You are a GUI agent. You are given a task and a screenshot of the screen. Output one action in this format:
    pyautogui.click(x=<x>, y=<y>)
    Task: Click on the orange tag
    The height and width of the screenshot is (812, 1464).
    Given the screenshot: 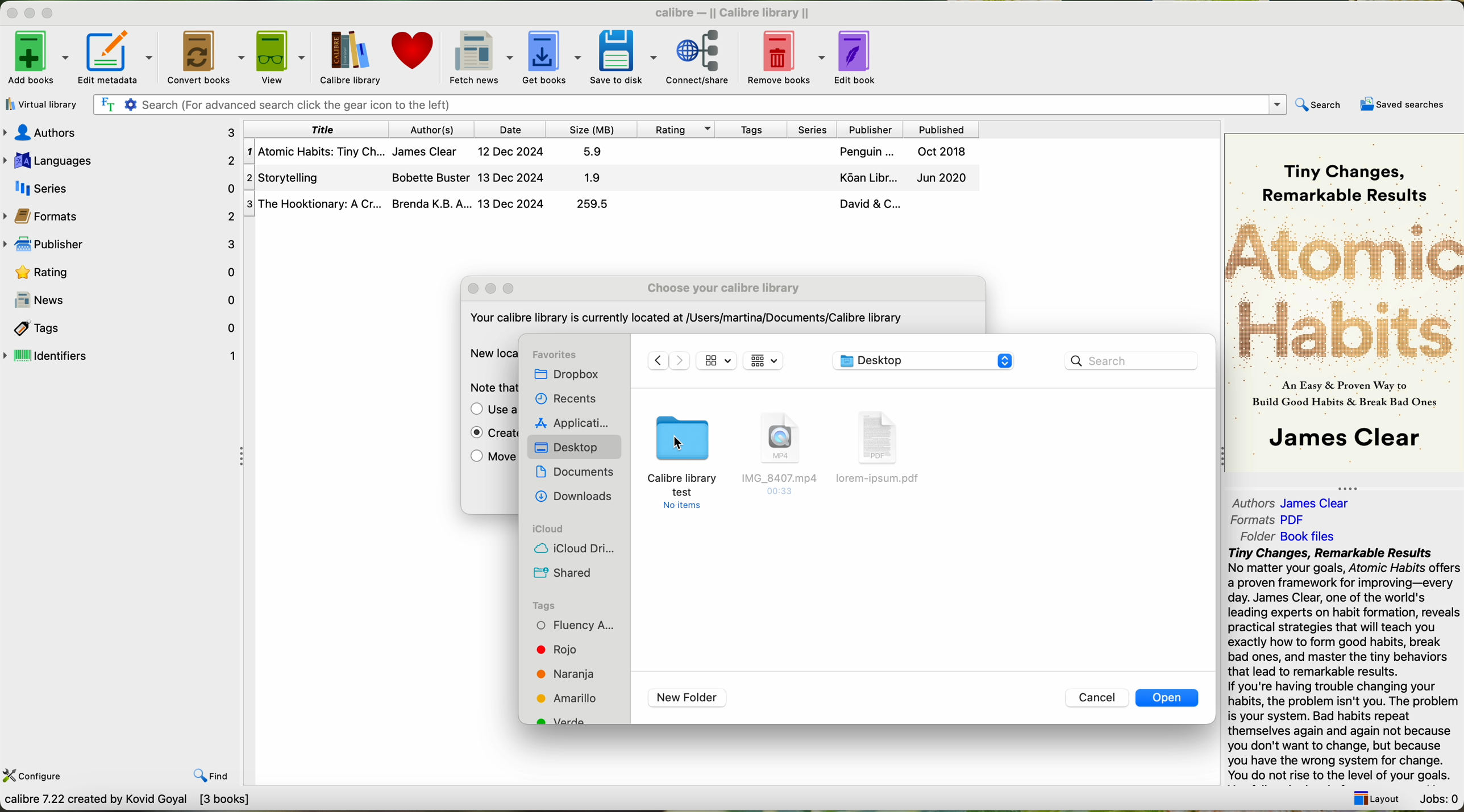 What is the action you would take?
    pyautogui.click(x=566, y=674)
    